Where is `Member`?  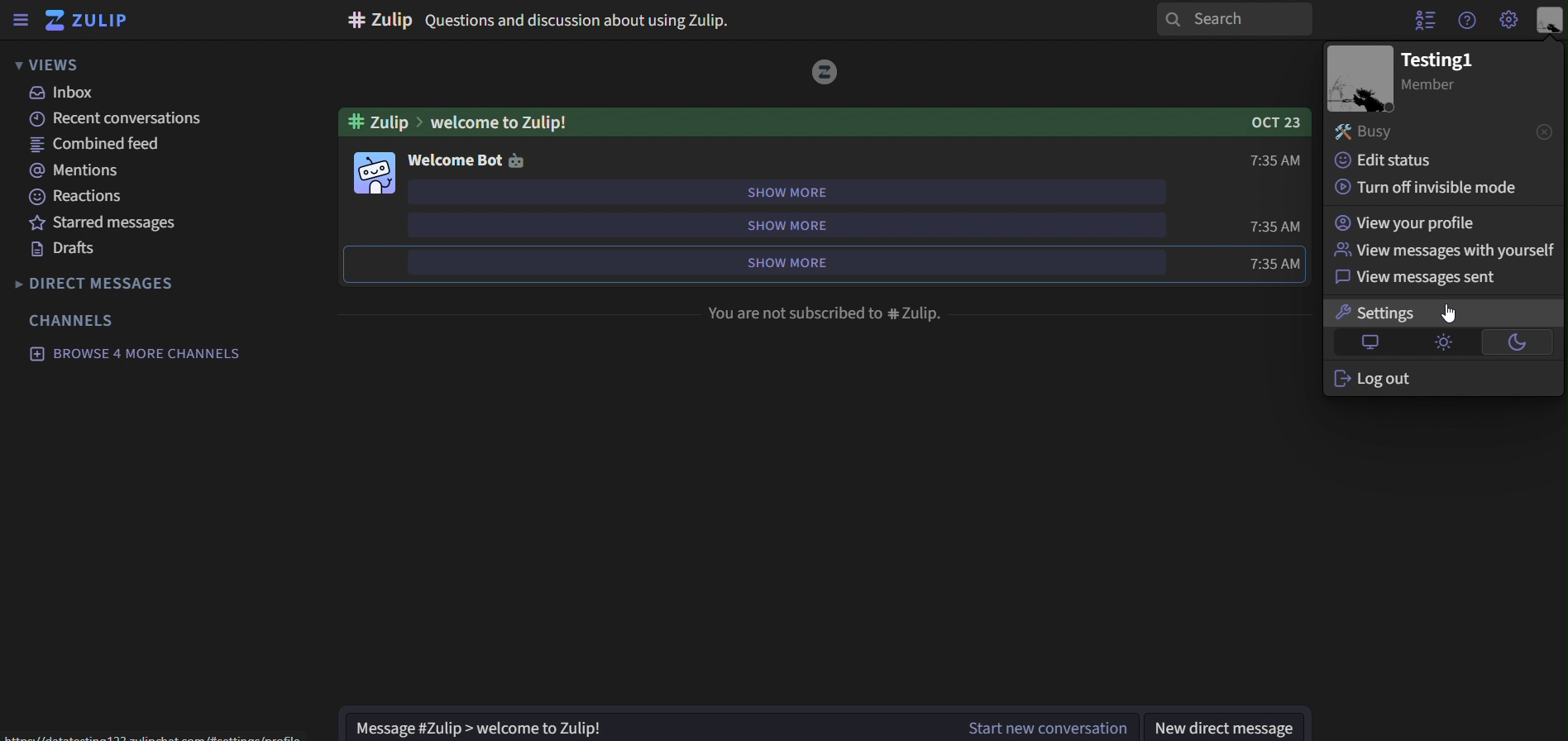 Member is located at coordinates (1439, 85).